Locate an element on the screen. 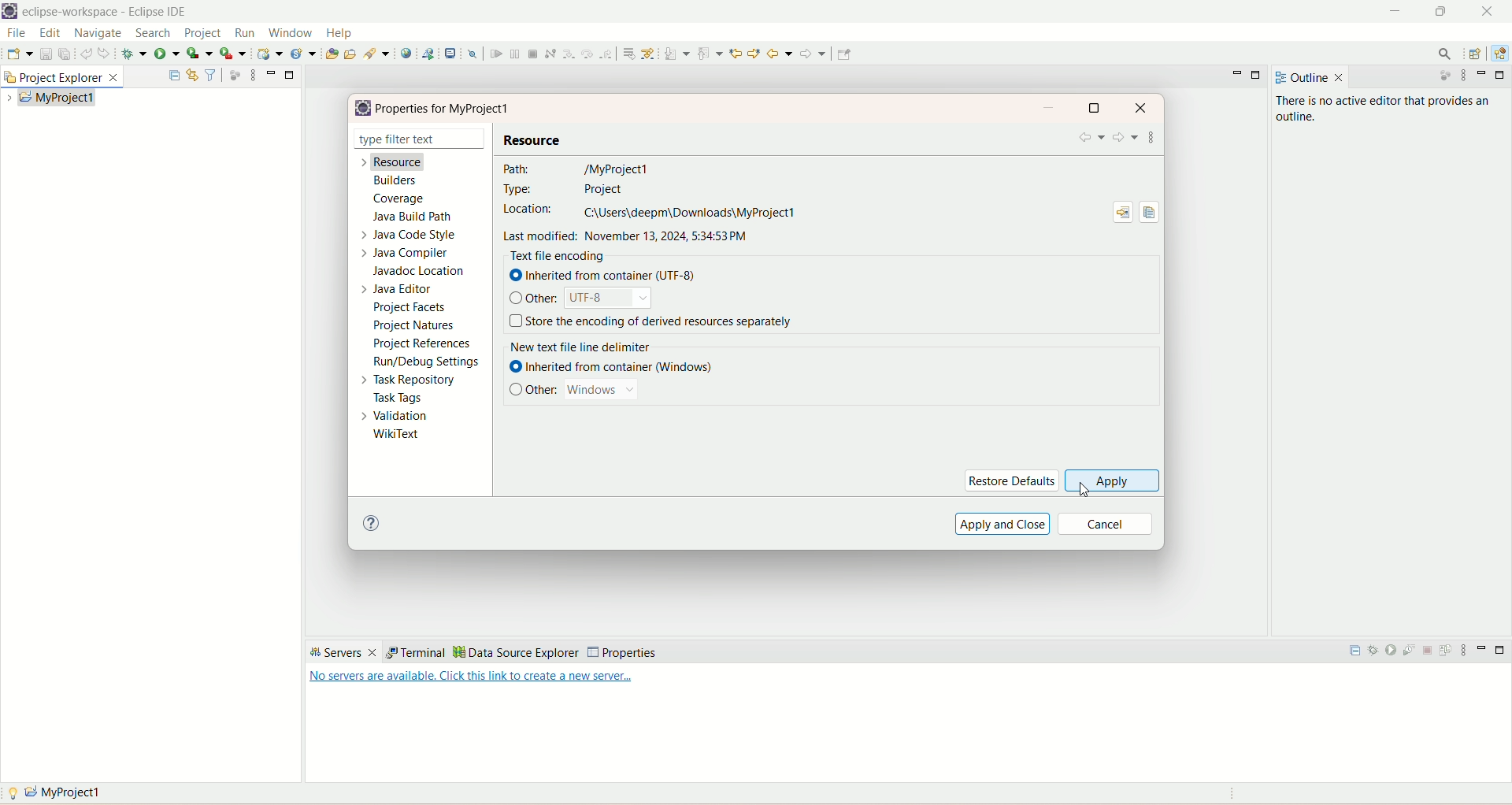  open a terminal is located at coordinates (451, 53).